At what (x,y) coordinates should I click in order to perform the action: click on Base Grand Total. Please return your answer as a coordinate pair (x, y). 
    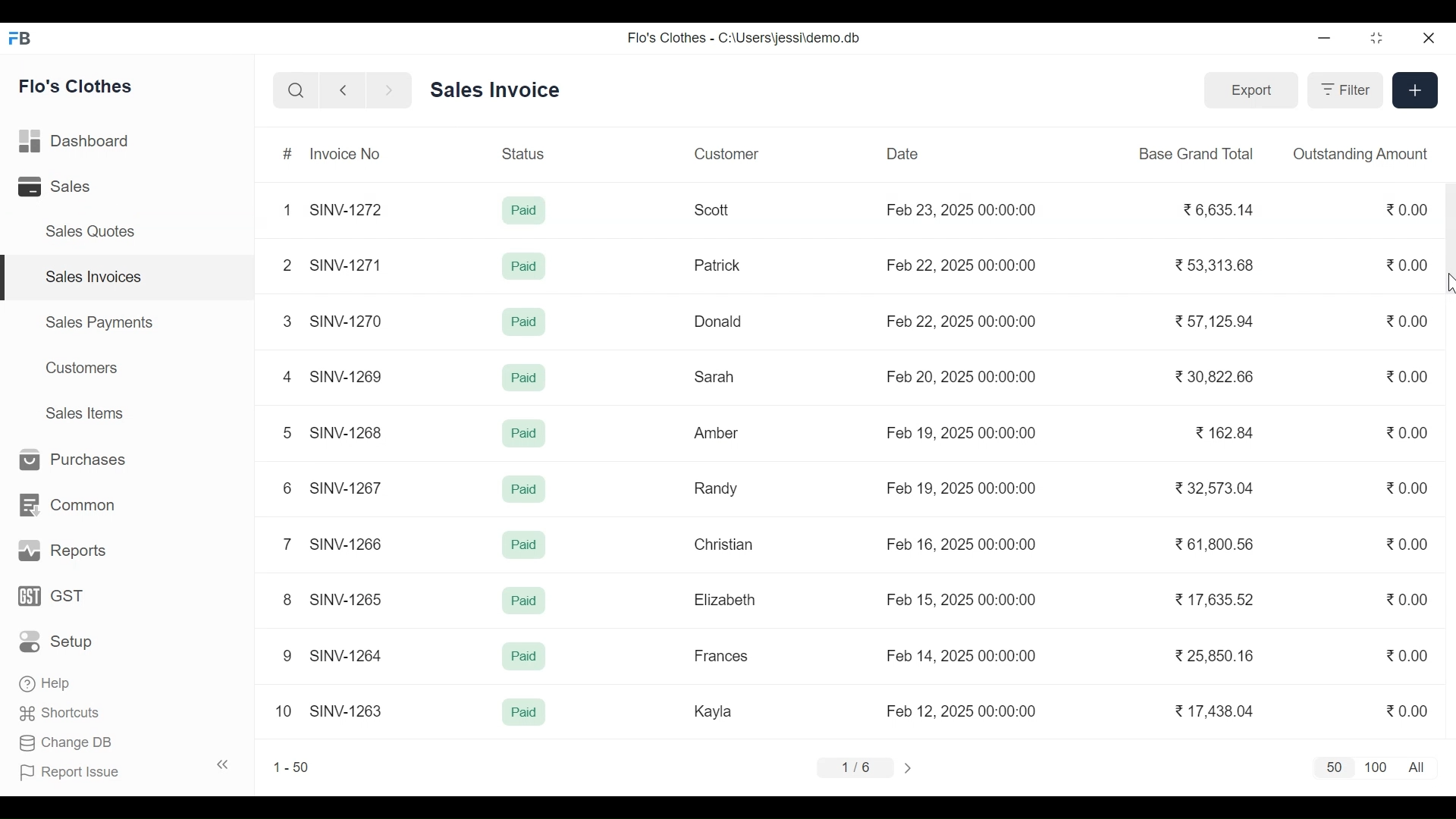
    Looking at the image, I should click on (1198, 152).